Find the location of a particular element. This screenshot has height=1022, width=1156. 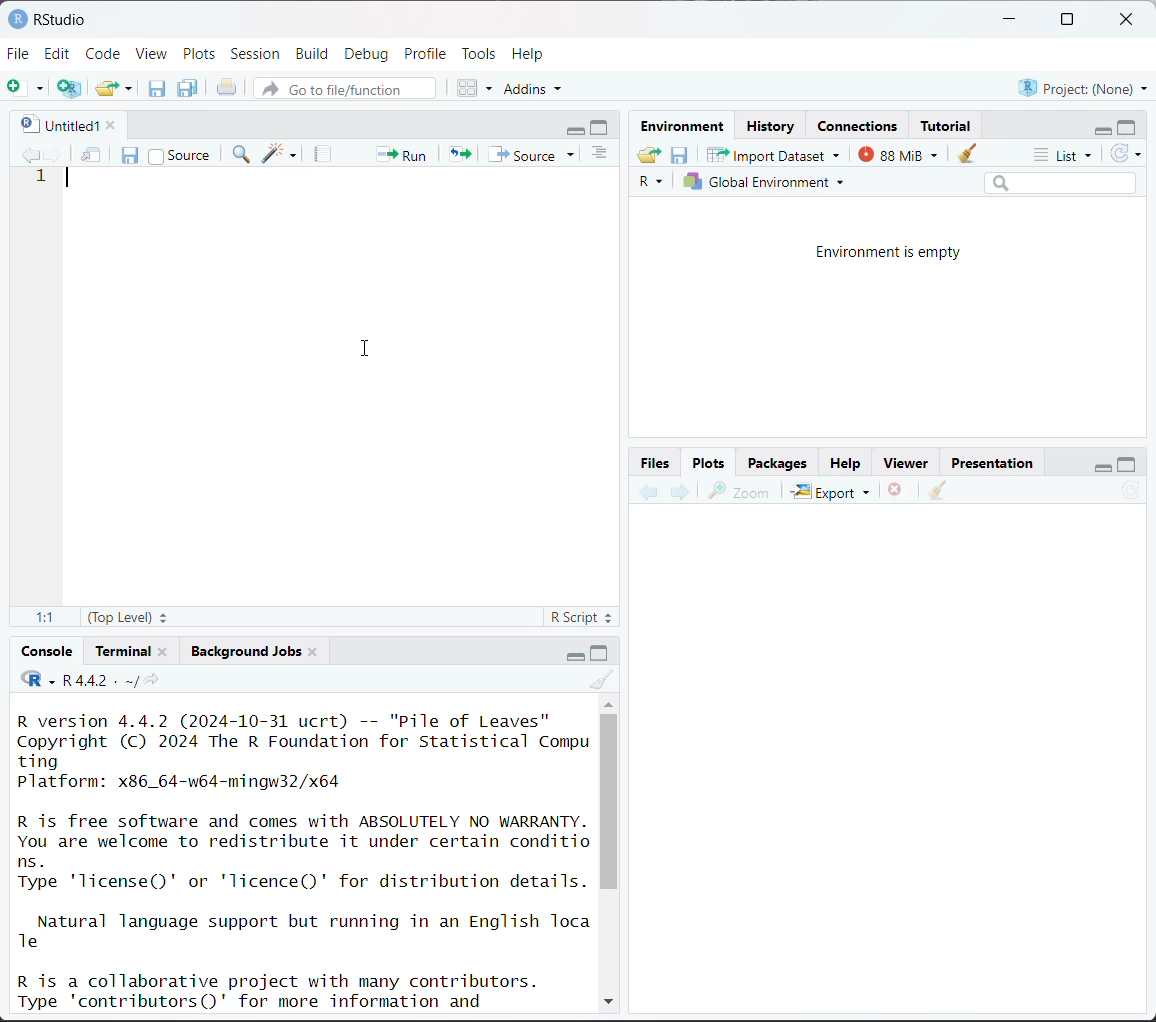

remove the current plot is located at coordinates (896, 493).